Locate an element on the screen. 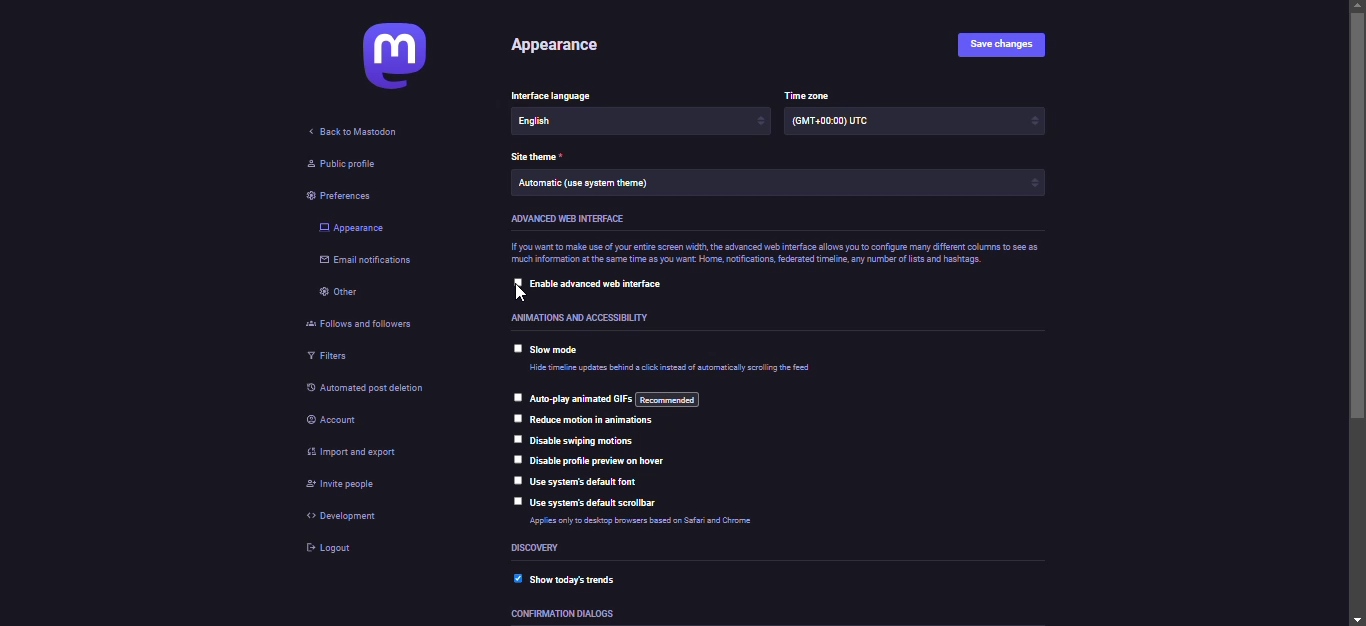  click to select is located at coordinates (510, 479).